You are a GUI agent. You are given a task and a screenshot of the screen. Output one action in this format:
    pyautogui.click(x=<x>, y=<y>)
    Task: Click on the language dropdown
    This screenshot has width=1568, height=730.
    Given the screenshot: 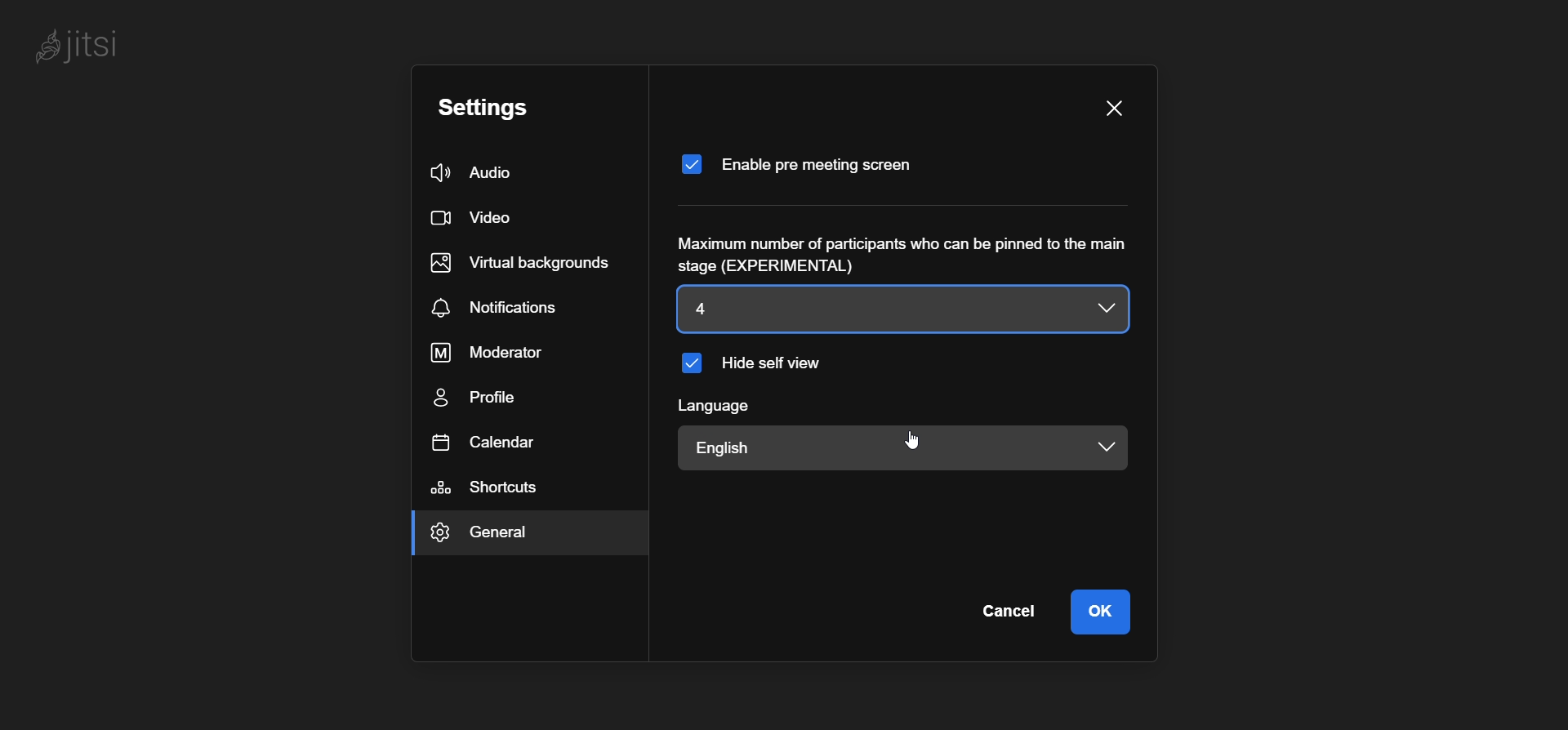 What is the action you would take?
    pyautogui.click(x=1099, y=445)
    